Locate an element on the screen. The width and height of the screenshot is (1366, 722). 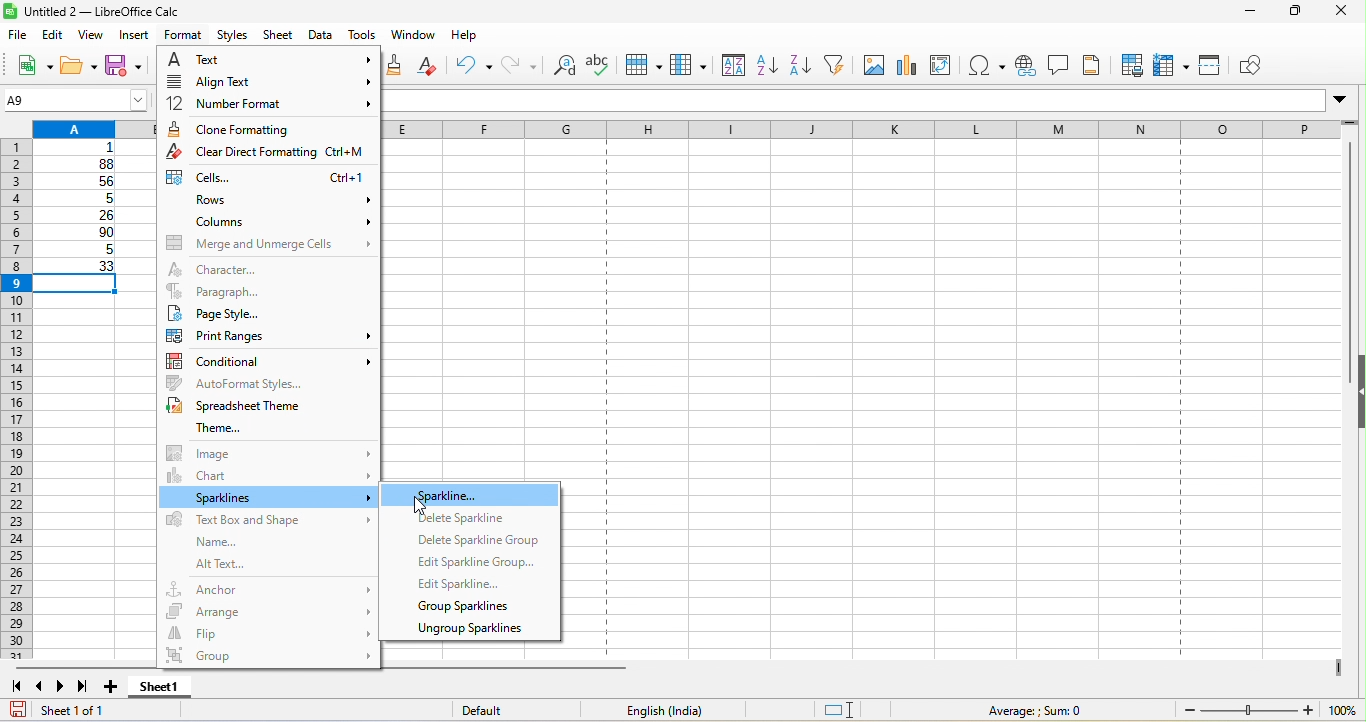
standard selection is located at coordinates (853, 710).